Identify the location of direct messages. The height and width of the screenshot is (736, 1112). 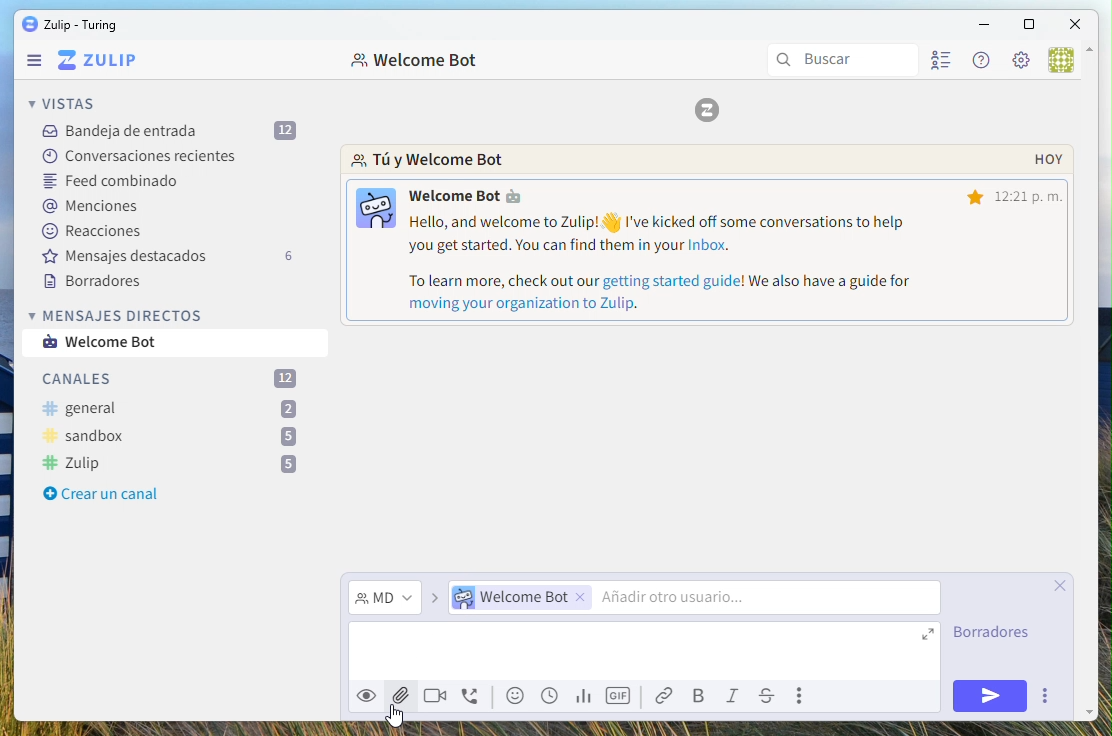
(385, 599).